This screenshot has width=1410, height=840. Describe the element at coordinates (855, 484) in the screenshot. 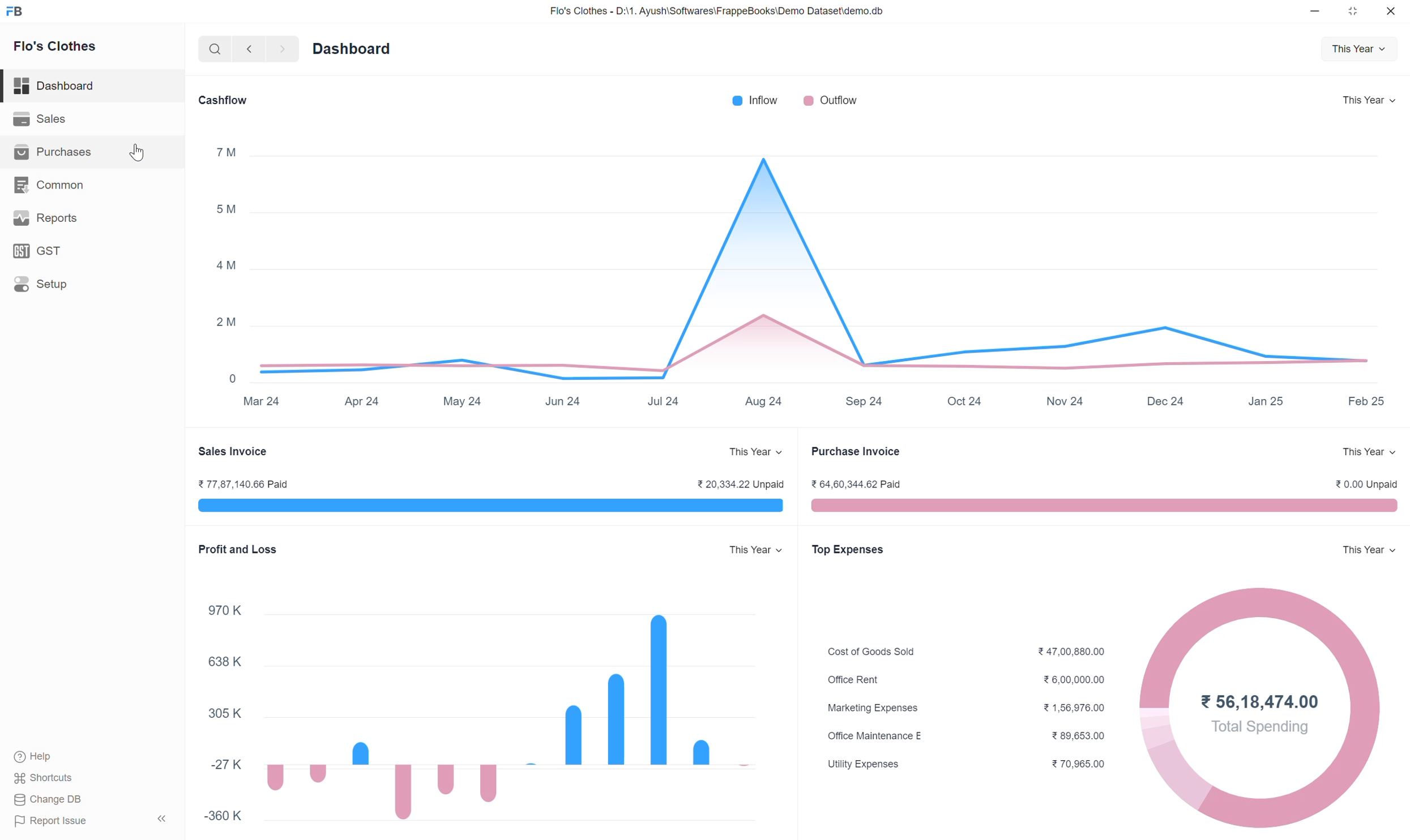

I see `64,60,344.62 Paid` at that location.